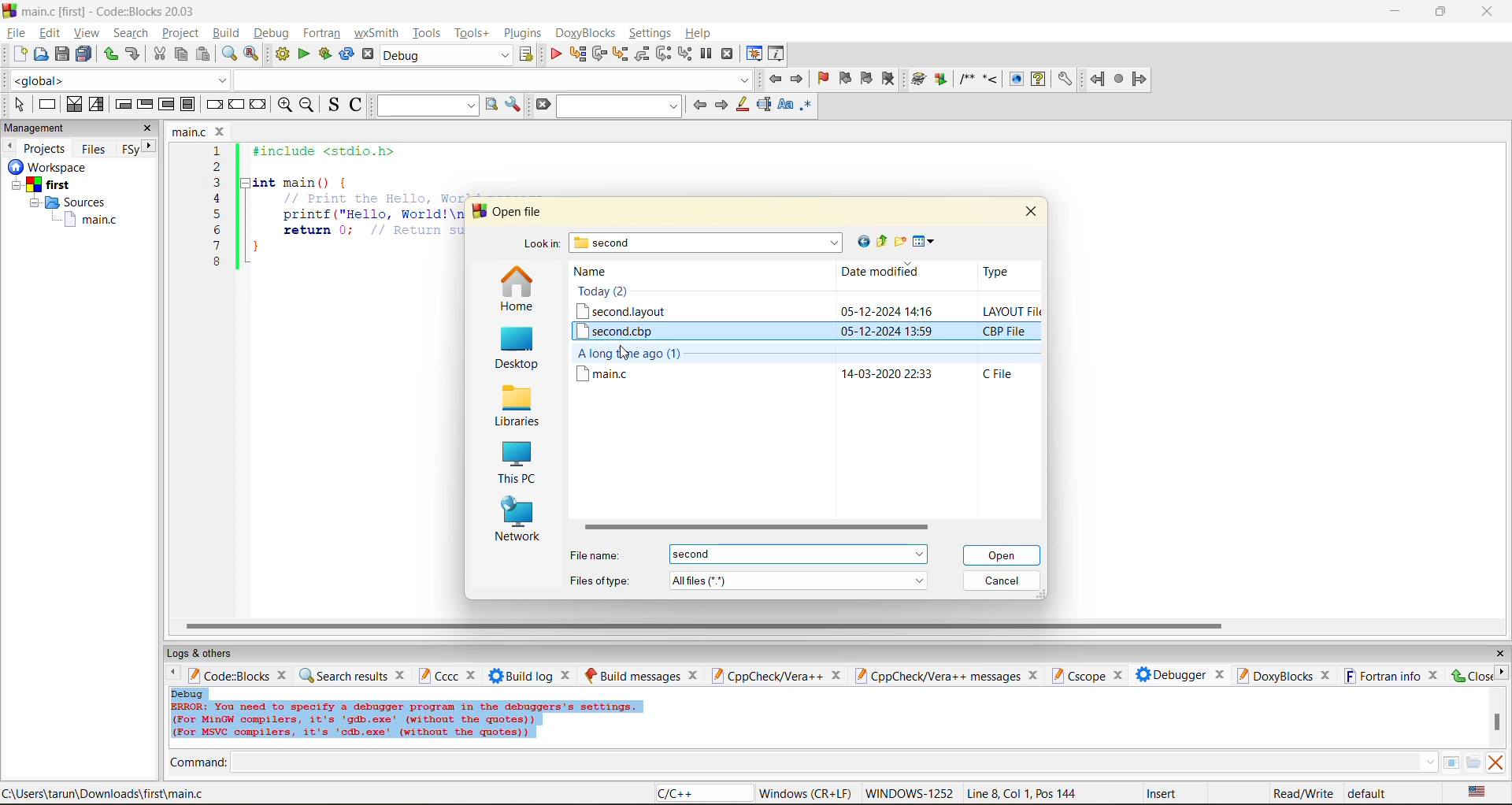 Image resolution: width=1512 pixels, height=805 pixels. Describe the element at coordinates (773, 79) in the screenshot. I see `jump back` at that location.